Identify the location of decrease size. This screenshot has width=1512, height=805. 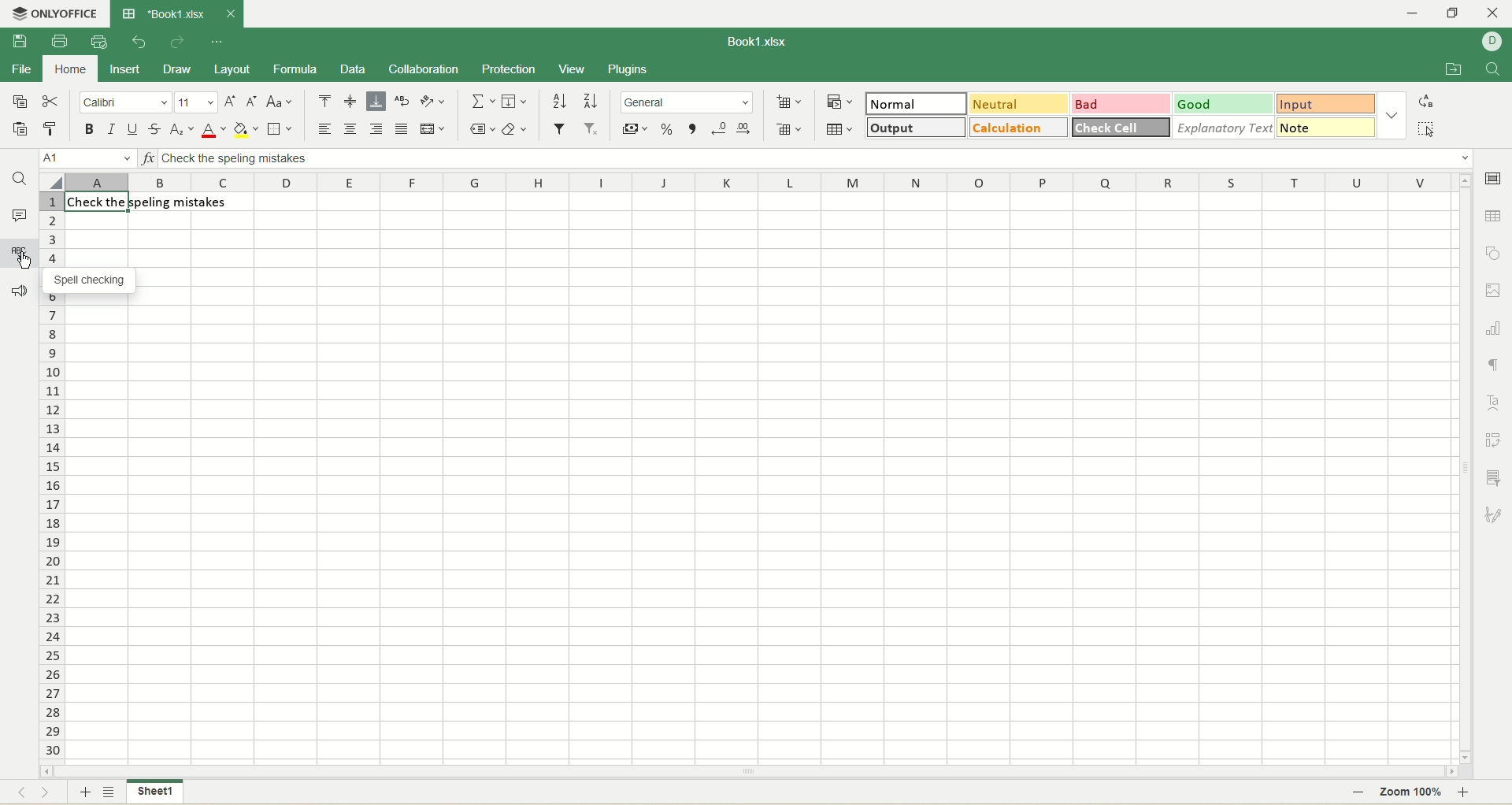
(252, 102).